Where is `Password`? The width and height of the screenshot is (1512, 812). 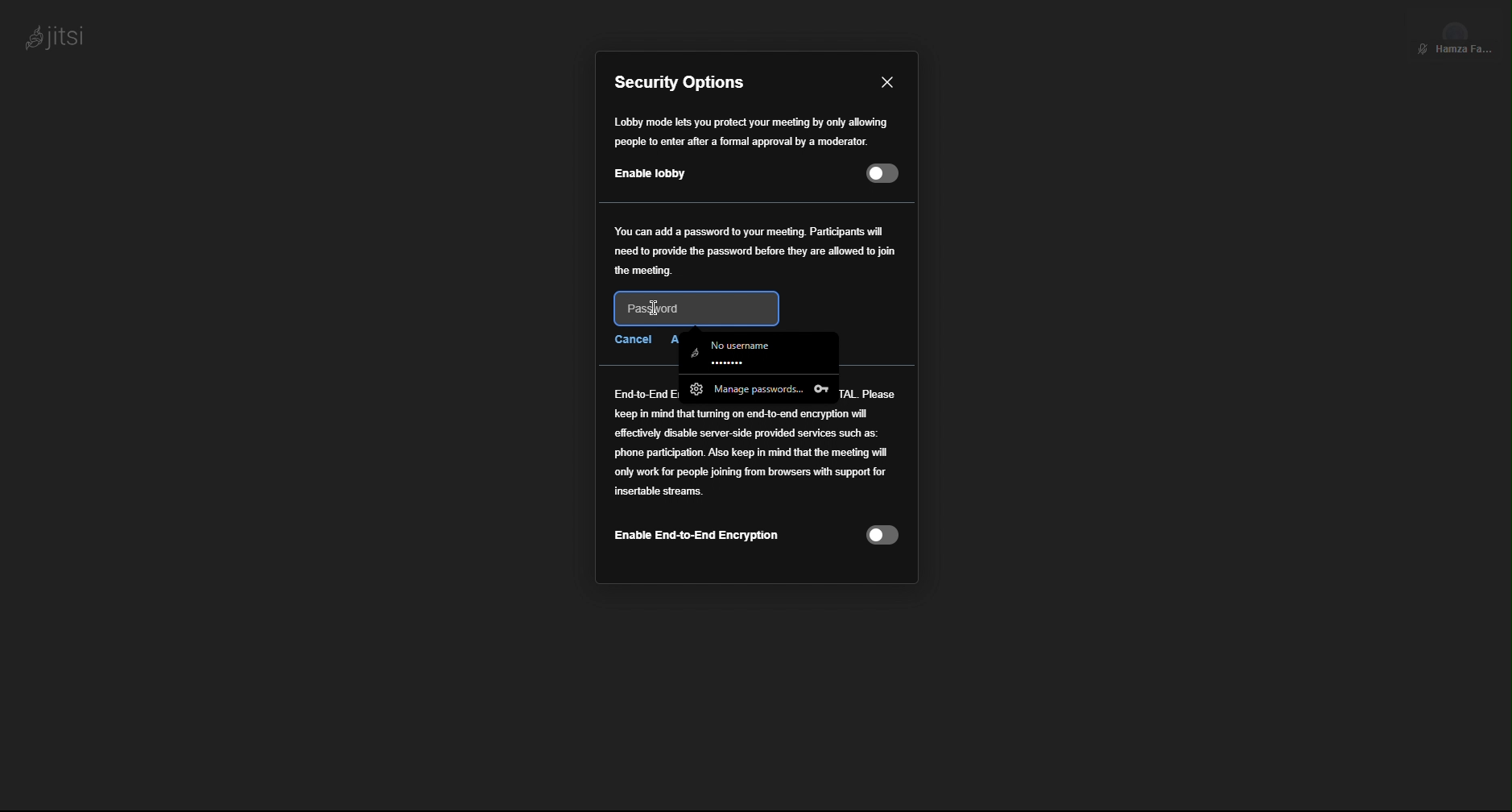
Password is located at coordinates (756, 250).